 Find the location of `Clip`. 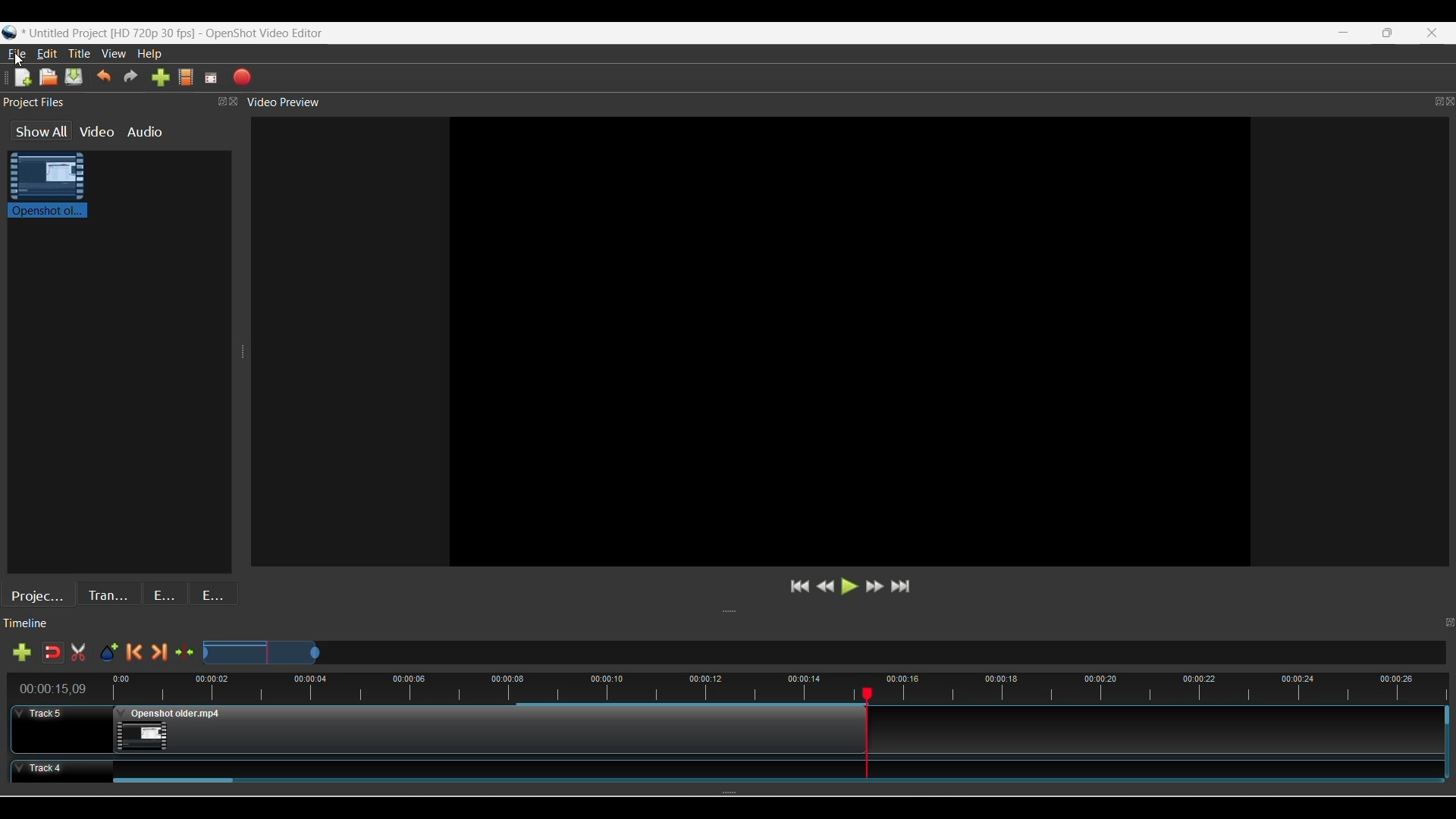

Clip is located at coordinates (48, 185).